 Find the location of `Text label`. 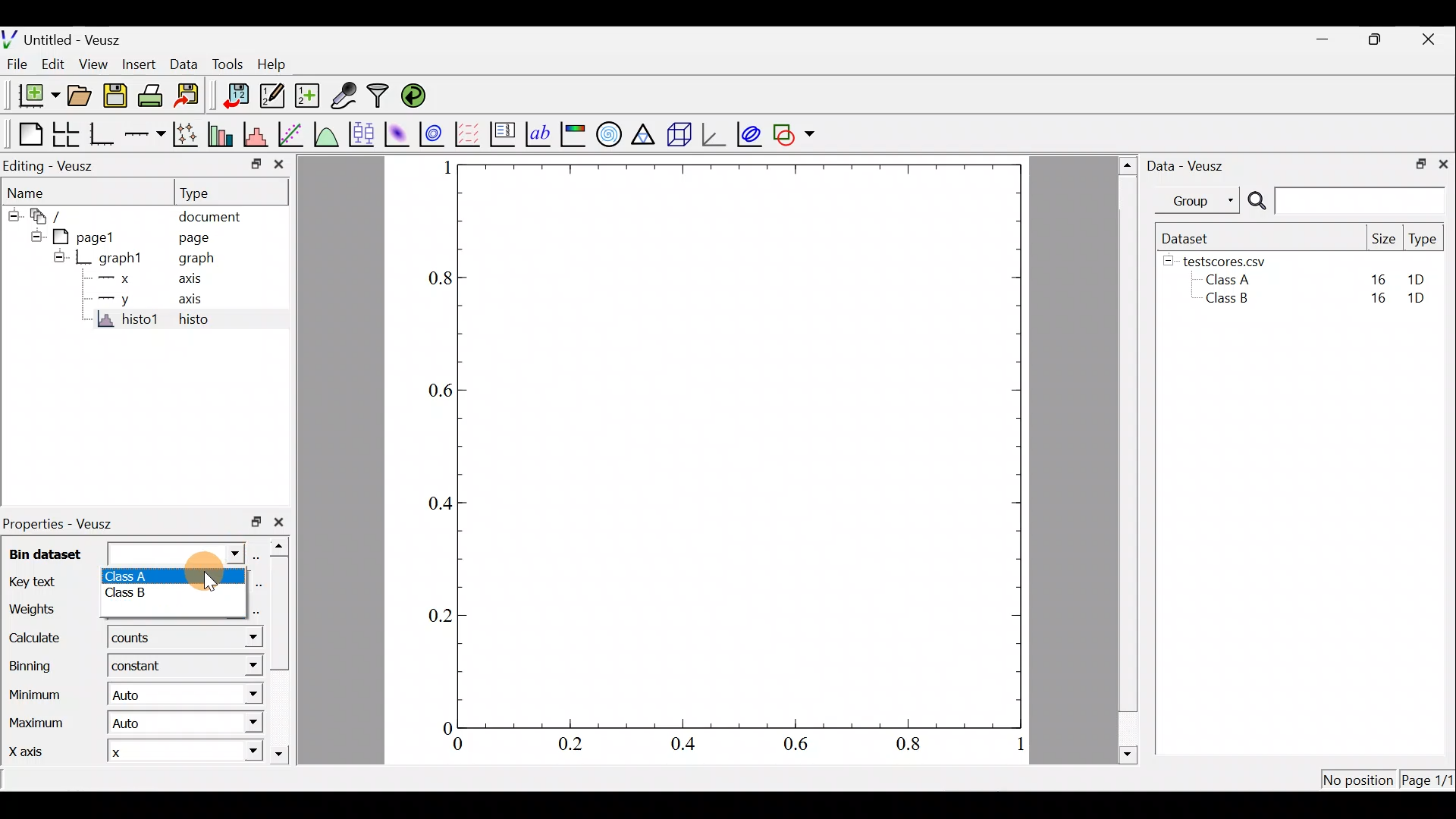

Text label is located at coordinates (536, 133).